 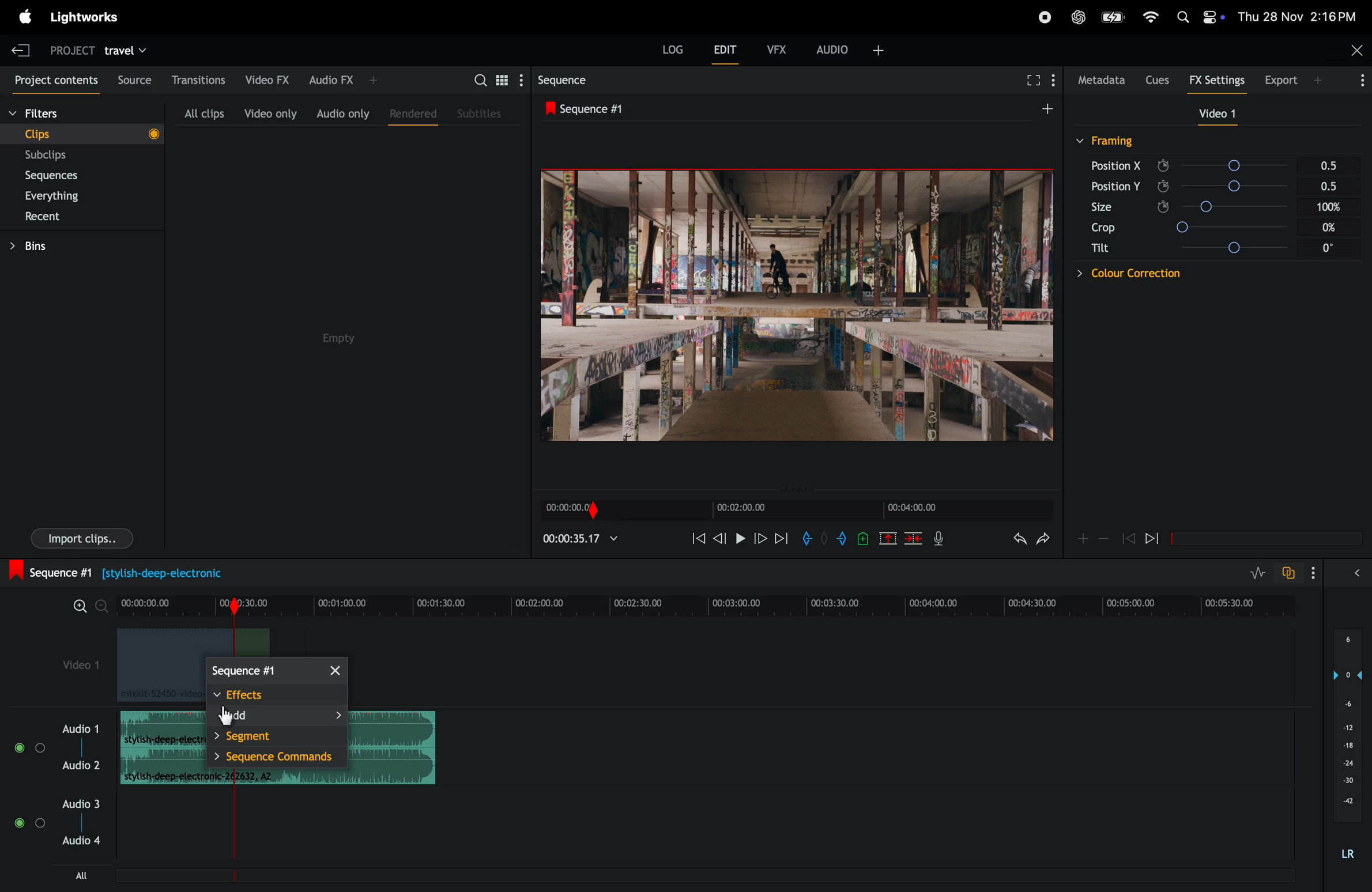 I want to click on close, so click(x=1354, y=52).